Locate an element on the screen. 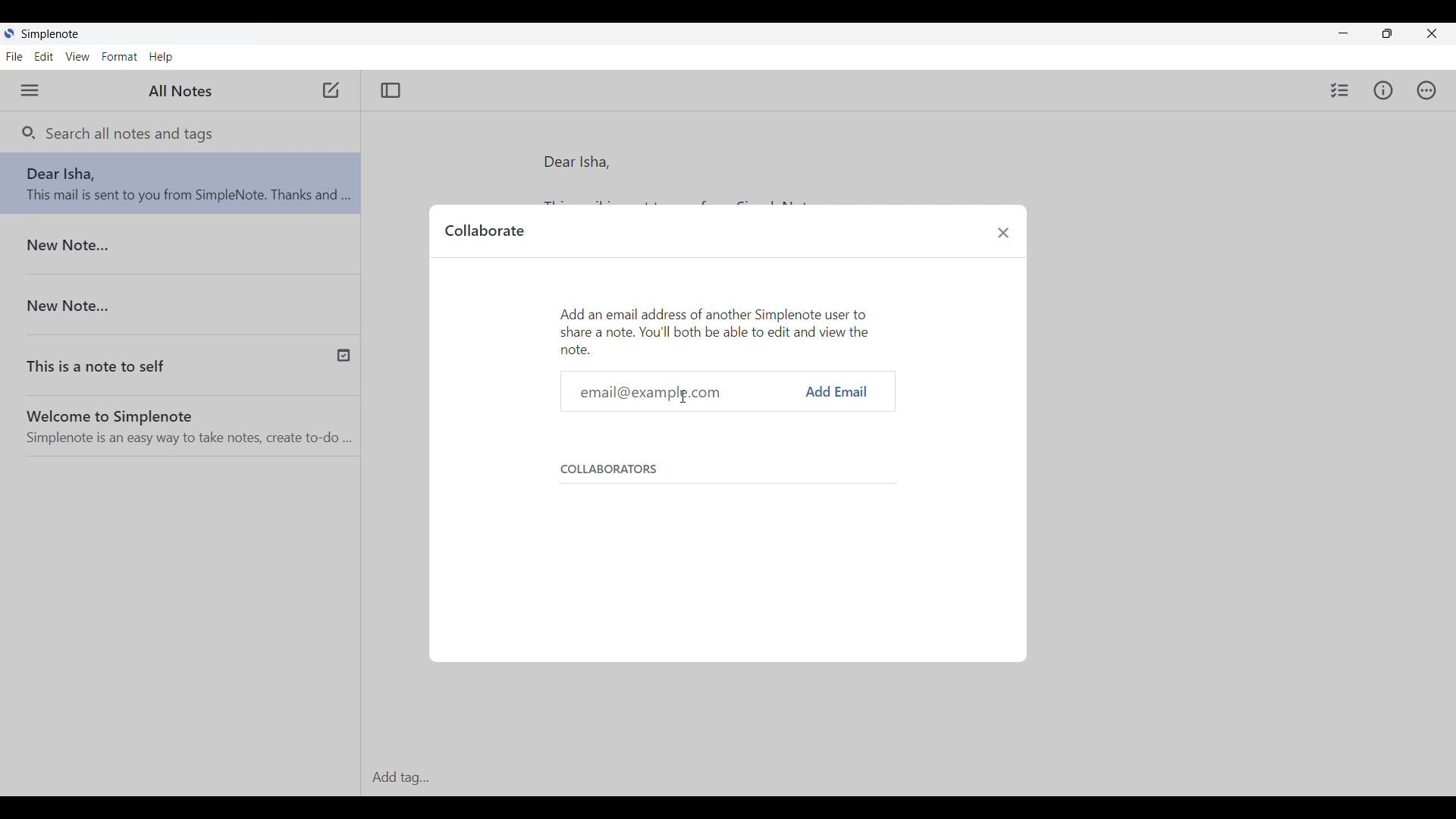 The image size is (1456, 819). Edit is located at coordinates (44, 56).